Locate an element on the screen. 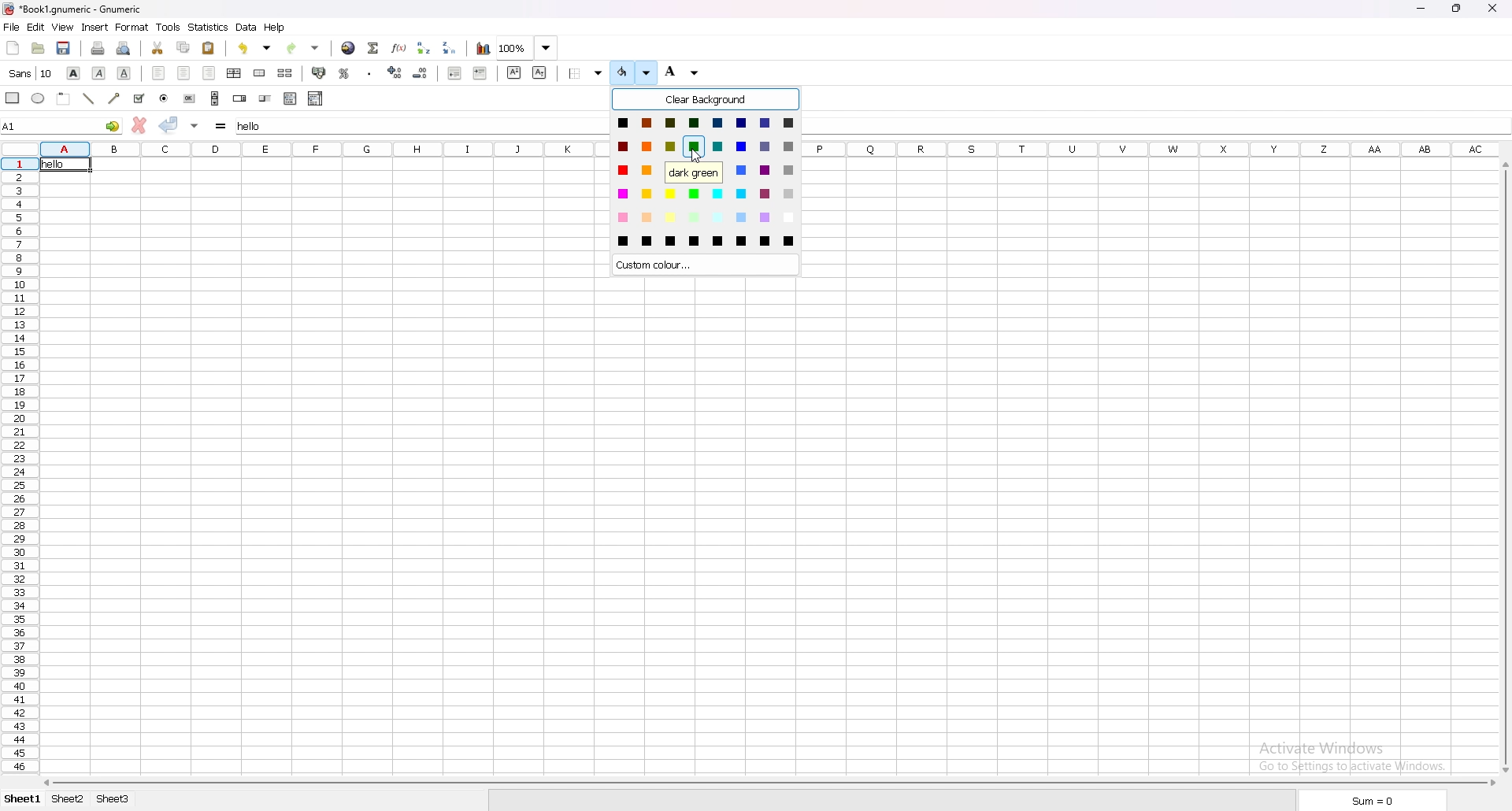 The height and width of the screenshot is (811, 1512). format is located at coordinates (133, 27).